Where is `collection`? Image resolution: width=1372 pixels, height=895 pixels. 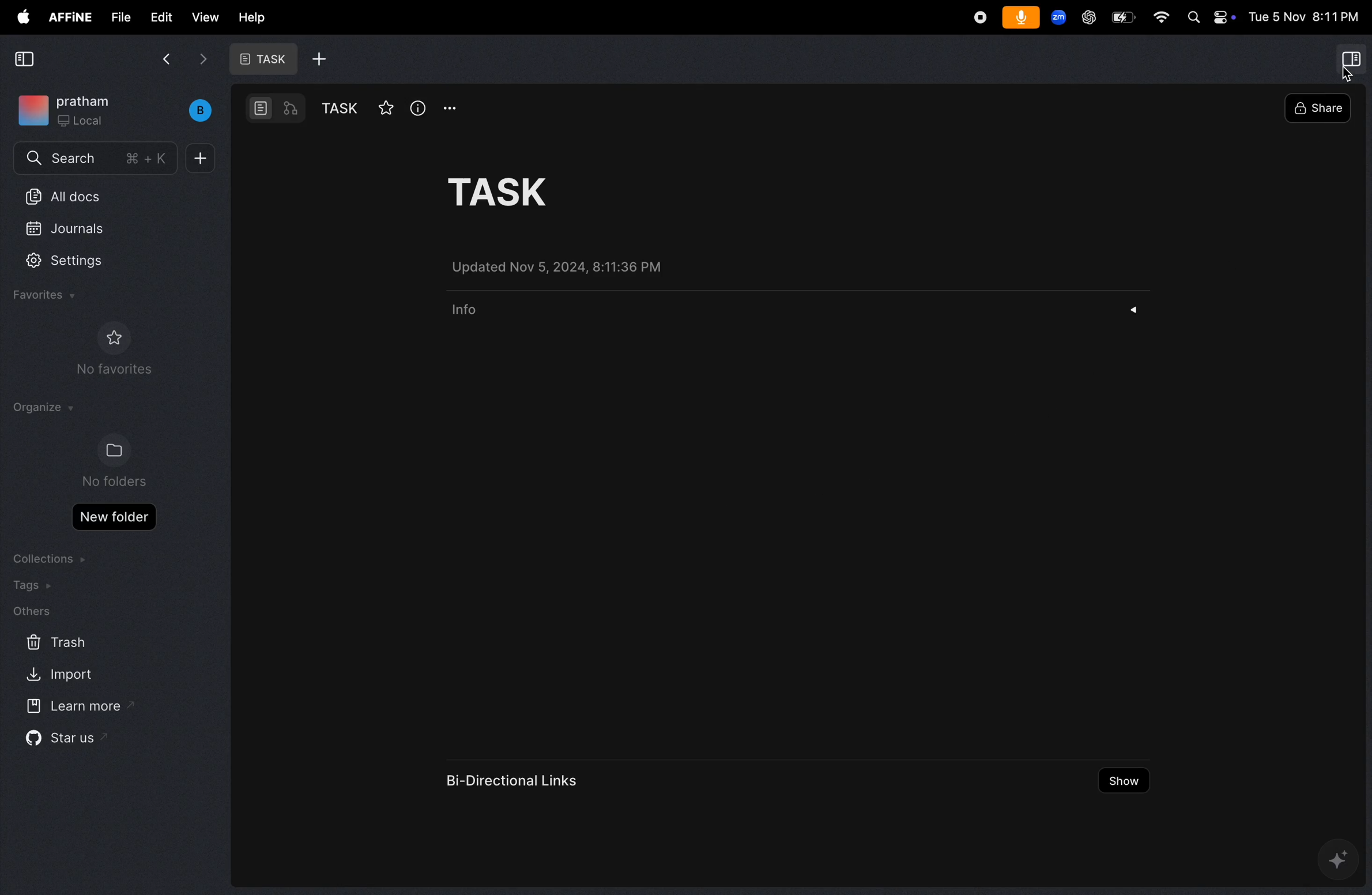
collection is located at coordinates (52, 558).